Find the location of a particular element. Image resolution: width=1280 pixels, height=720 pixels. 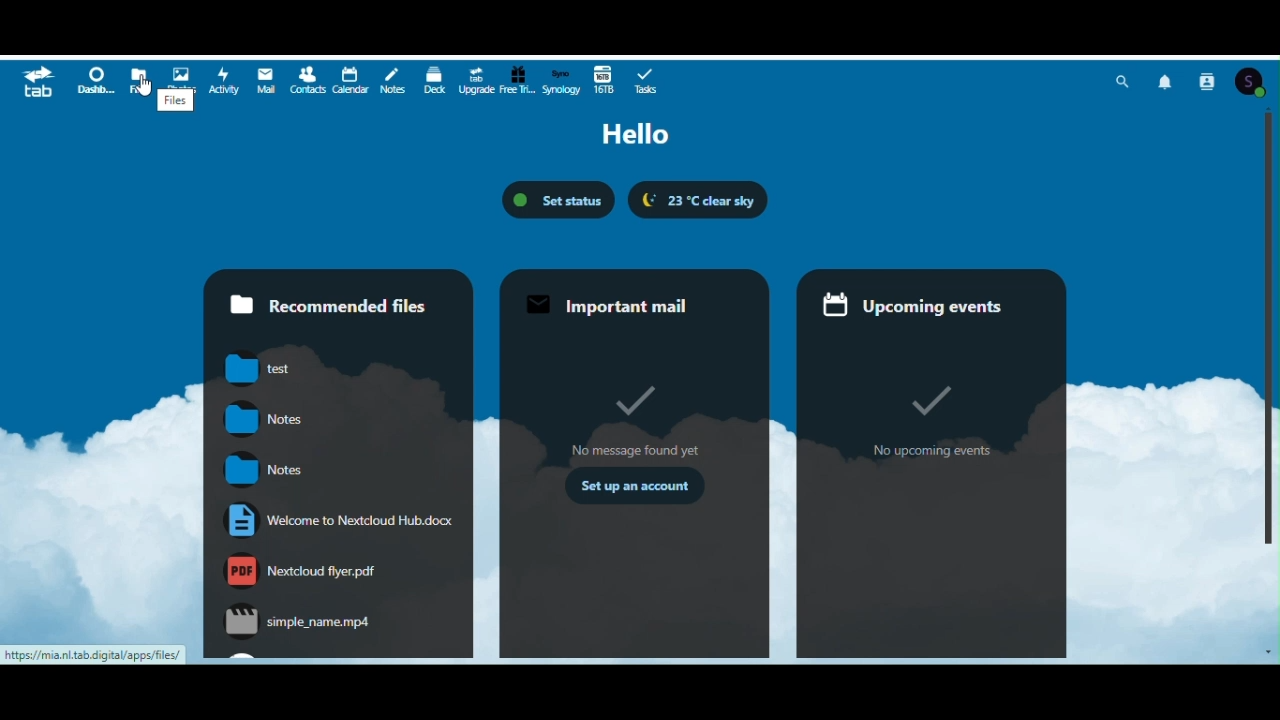

tab is located at coordinates (34, 84).